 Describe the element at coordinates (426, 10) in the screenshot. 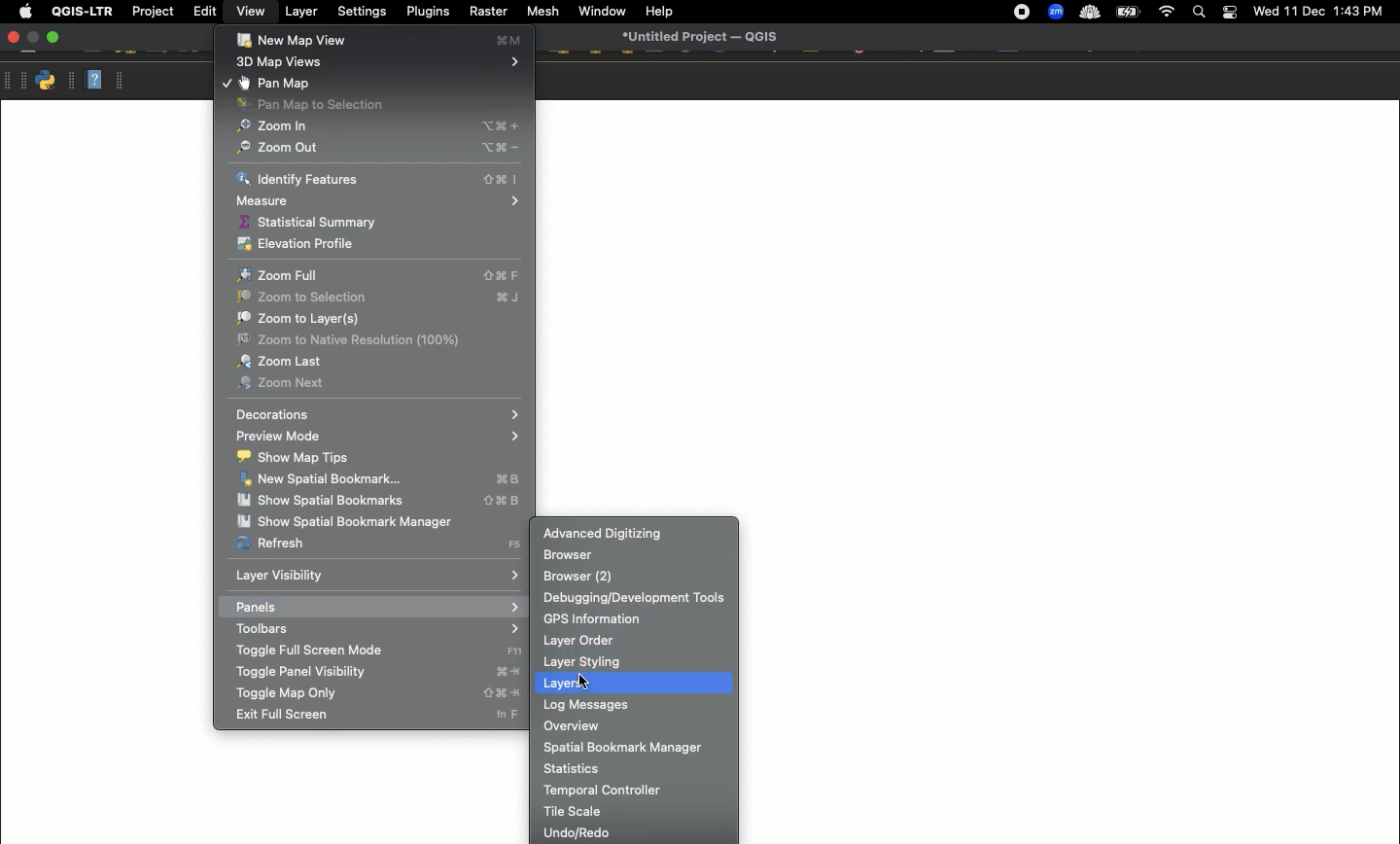

I see `Plugins` at that location.